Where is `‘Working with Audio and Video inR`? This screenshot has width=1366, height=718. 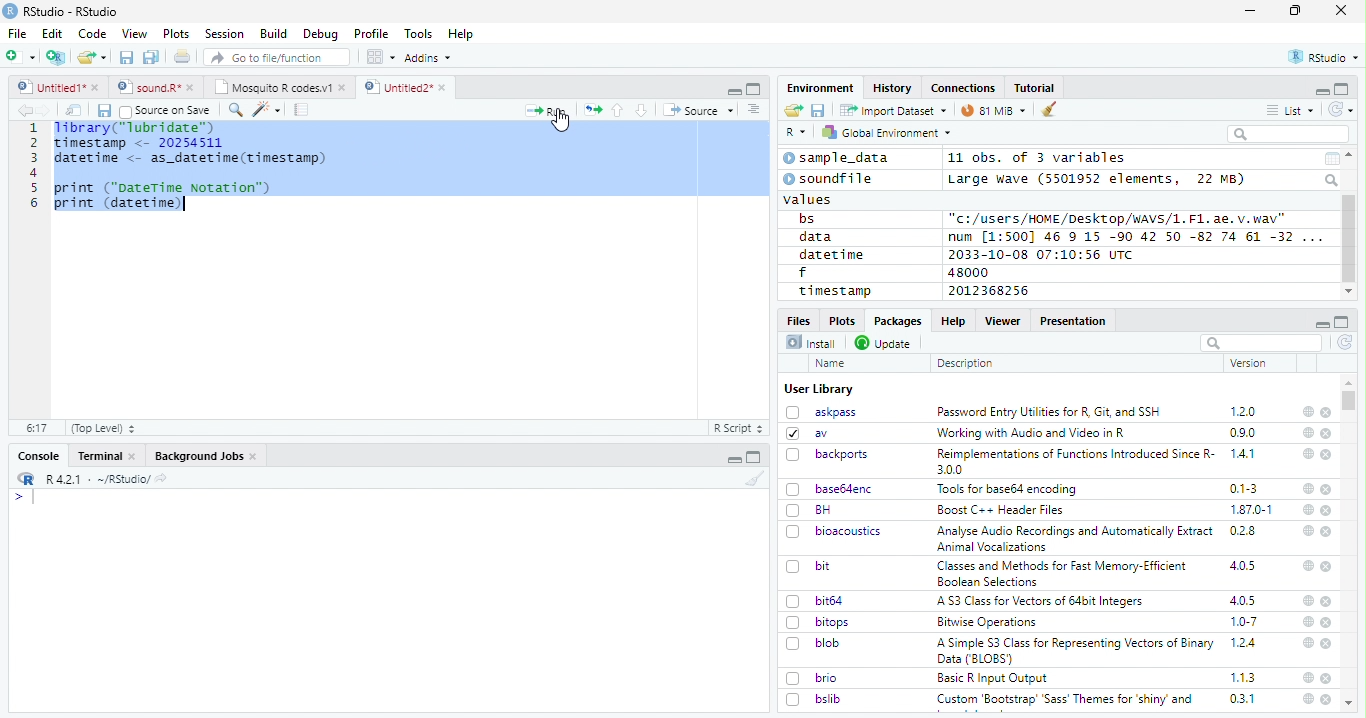 ‘Working with Audio and Video inR is located at coordinates (1033, 433).